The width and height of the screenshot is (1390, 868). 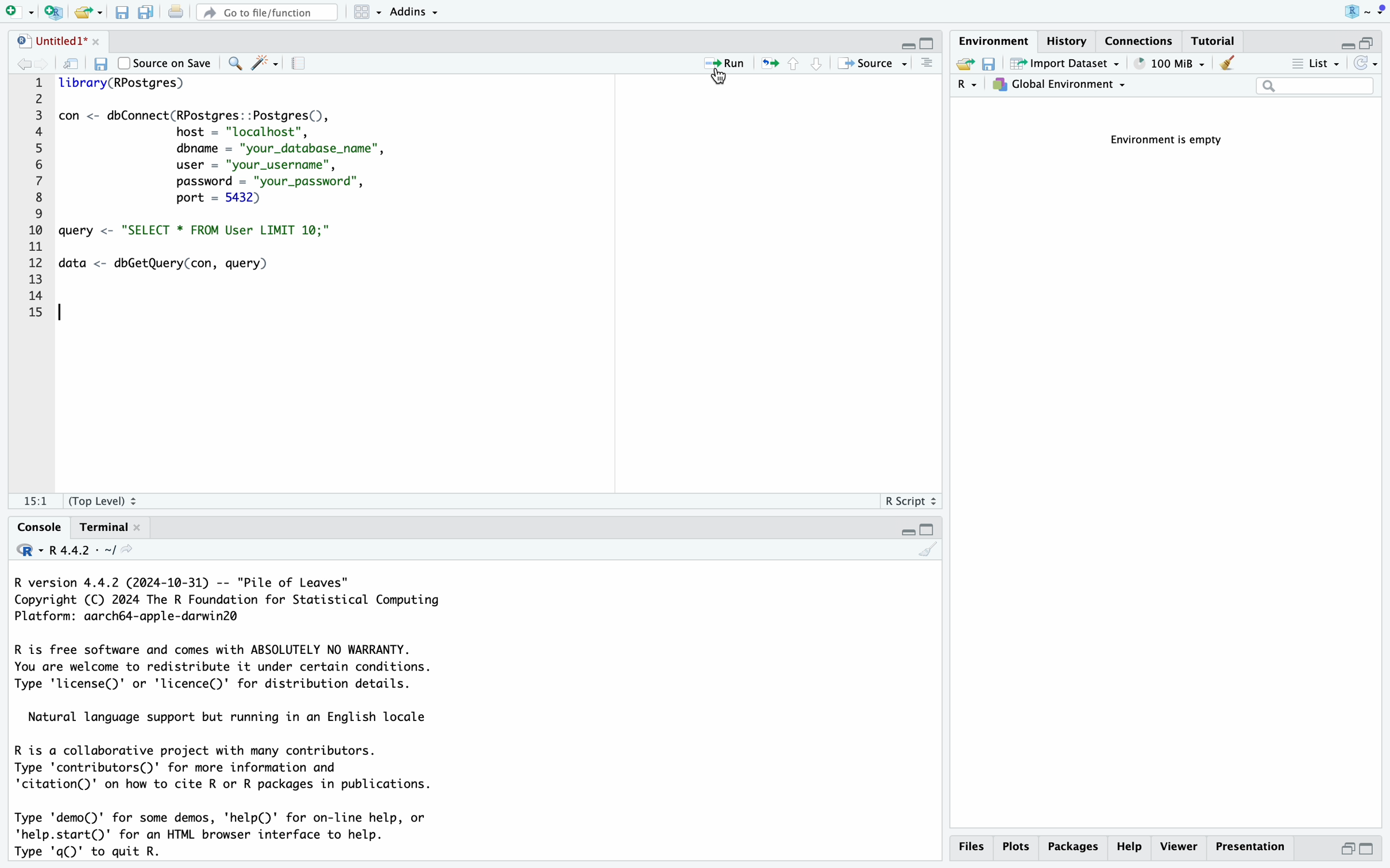 I want to click on source, so click(x=874, y=65).